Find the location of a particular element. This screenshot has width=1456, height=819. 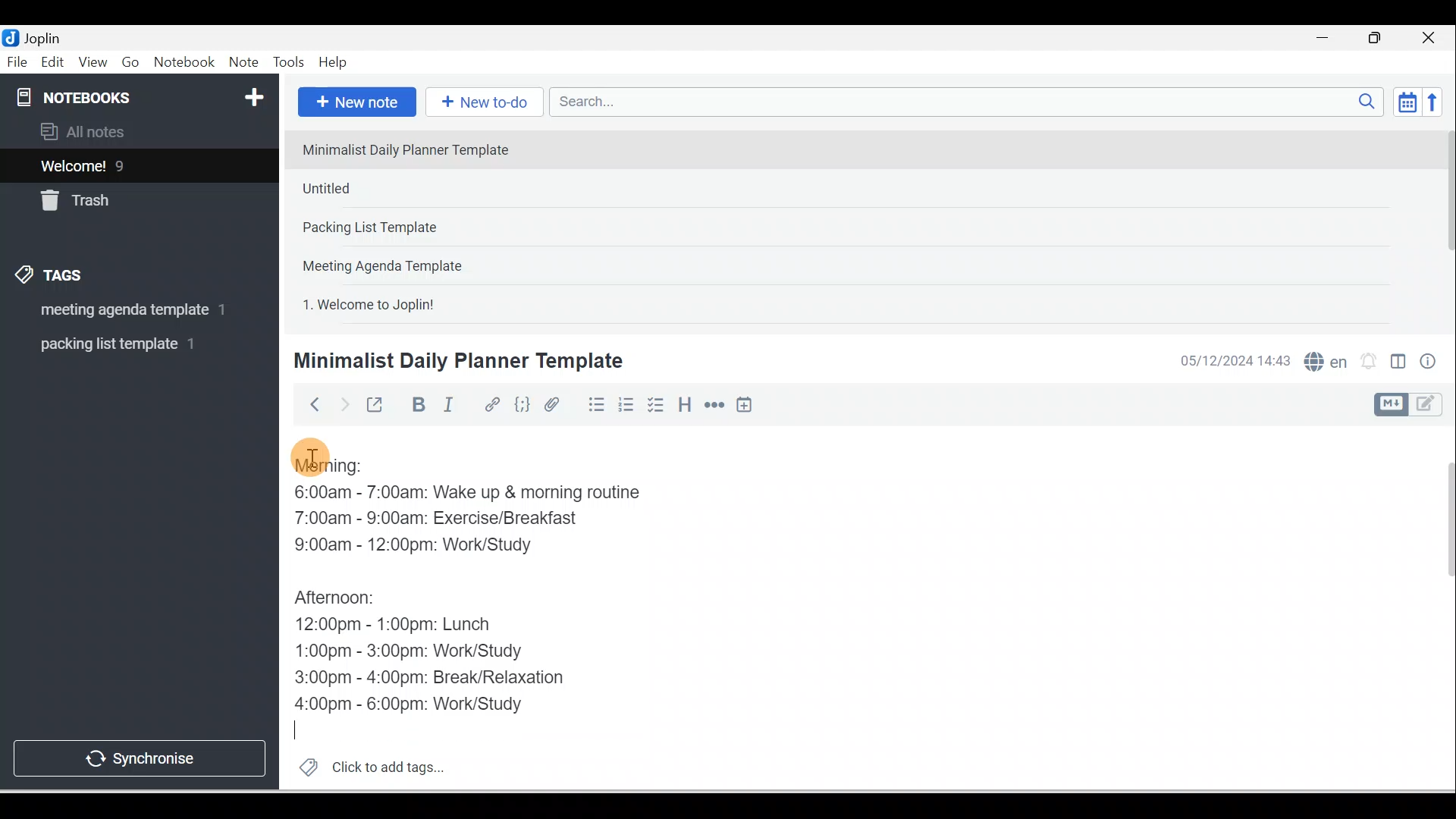

Minimalist Daily Planner Template is located at coordinates (456, 361).